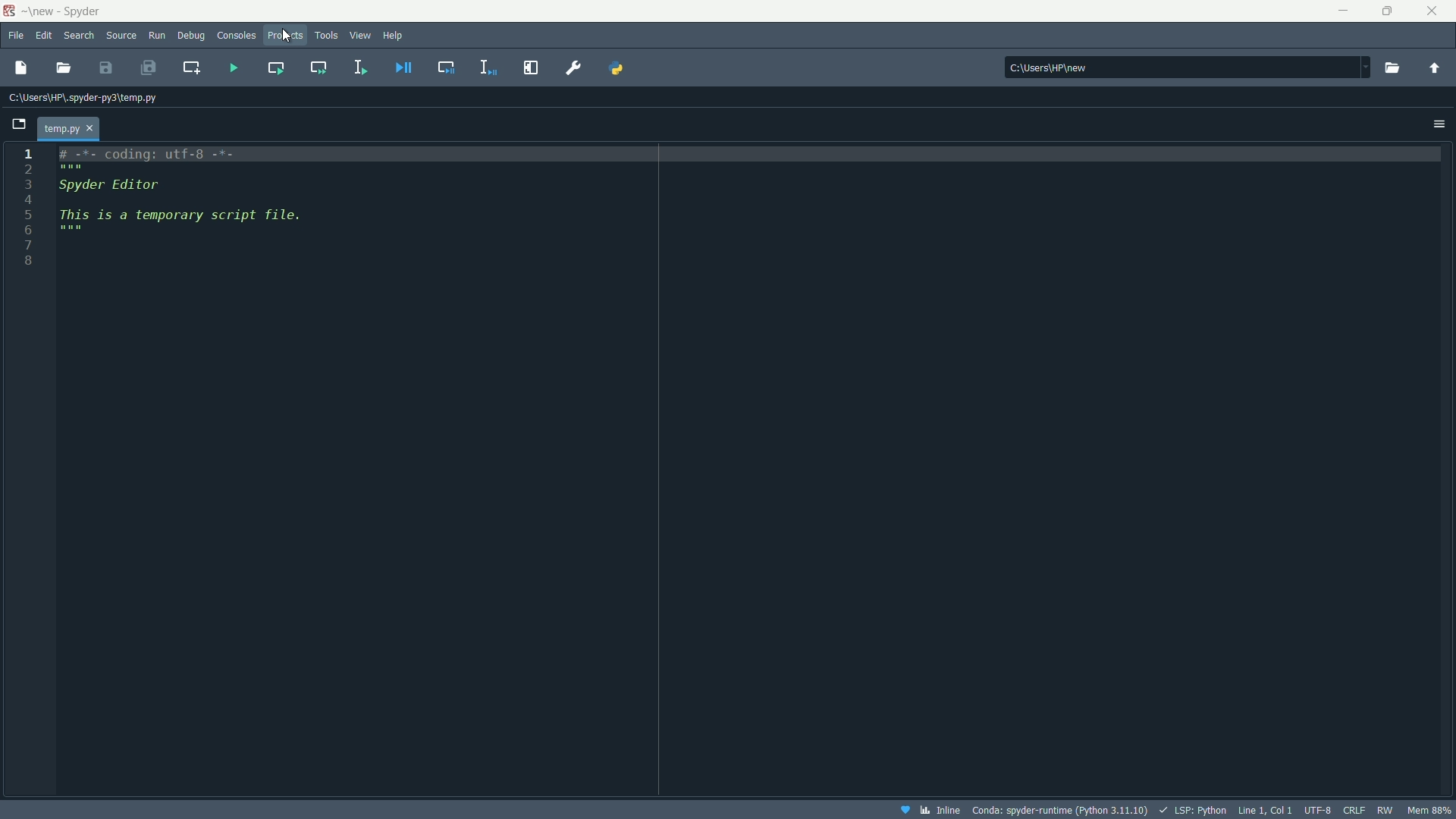  Describe the element at coordinates (1431, 809) in the screenshot. I see `mem 88%` at that location.